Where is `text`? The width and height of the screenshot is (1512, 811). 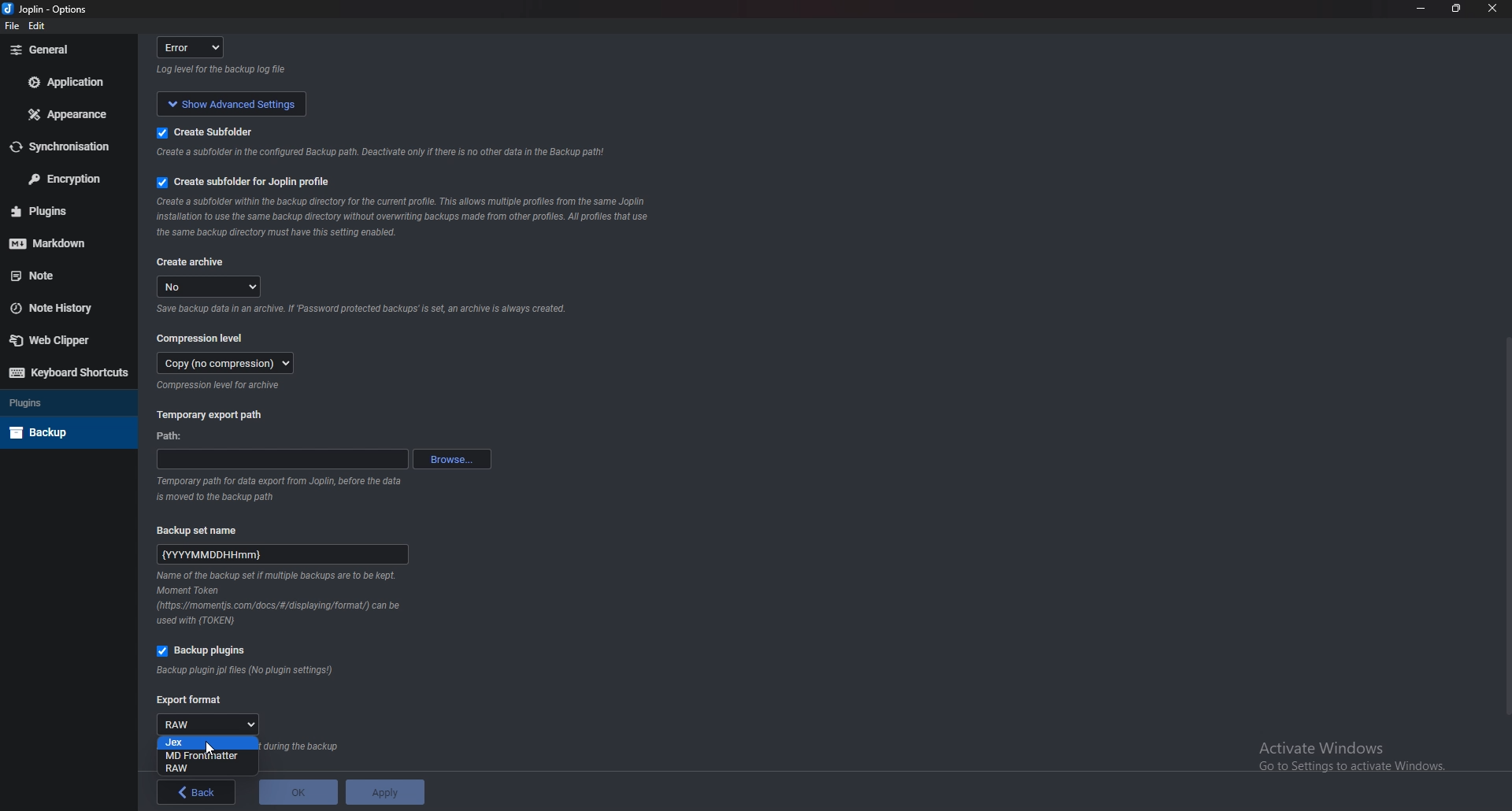
text is located at coordinates (305, 747).